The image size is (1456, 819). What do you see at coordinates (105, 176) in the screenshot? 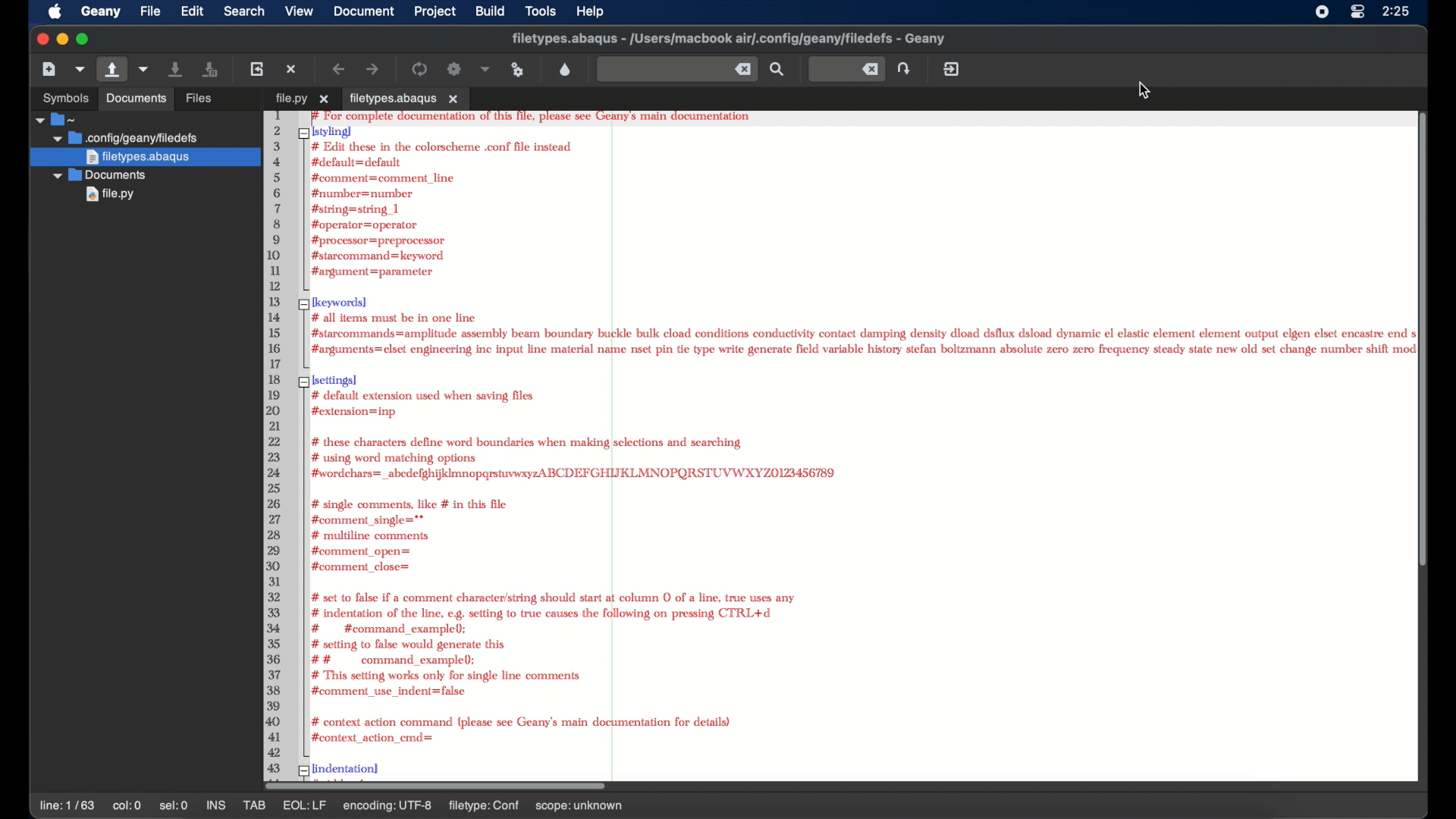
I see `` at bounding box center [105, 176].